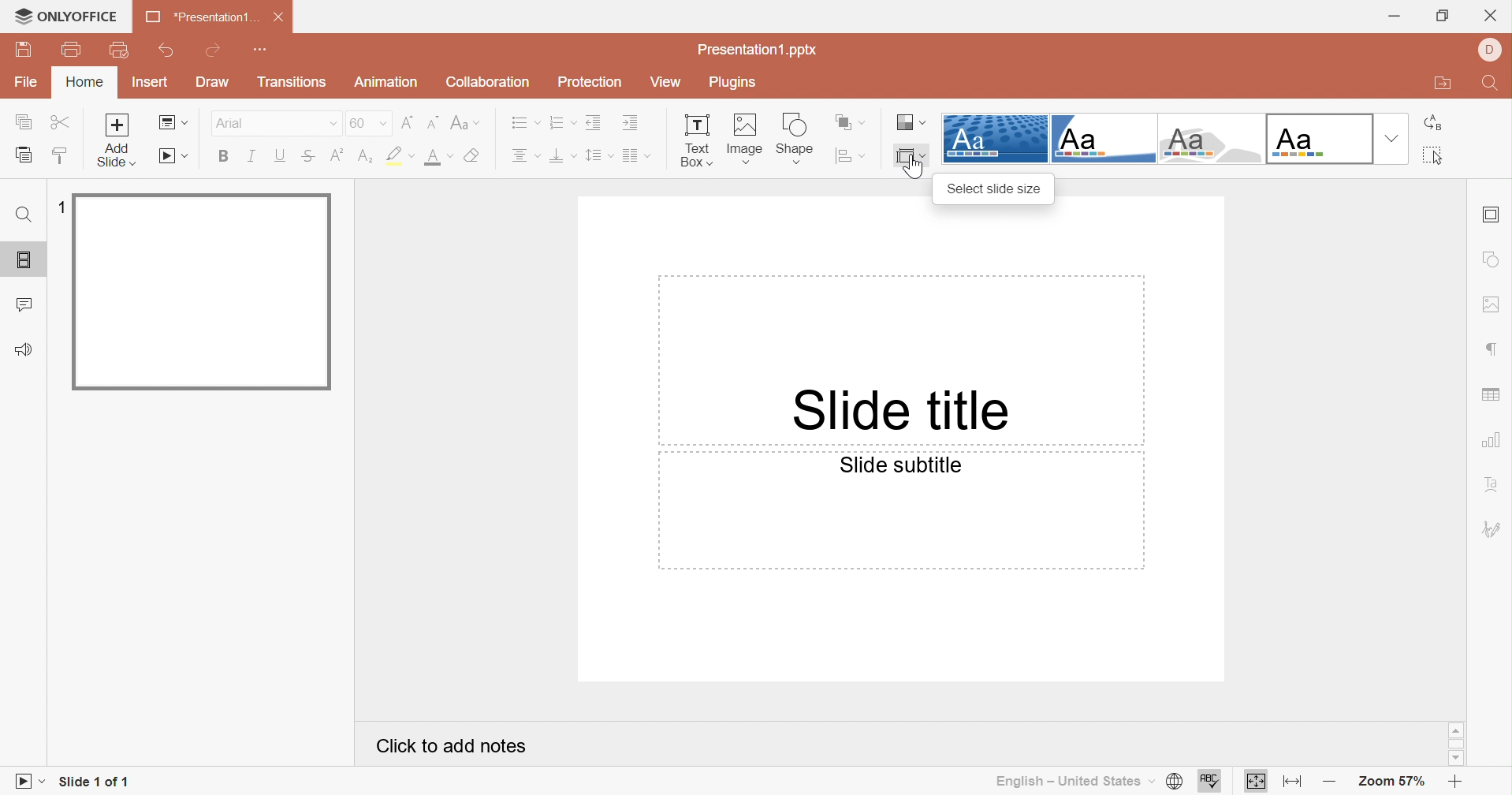  What do you see at coordinates (1492, 528) in the screenshot?
I see `Signature settings` at bounding box center [1492, 528].